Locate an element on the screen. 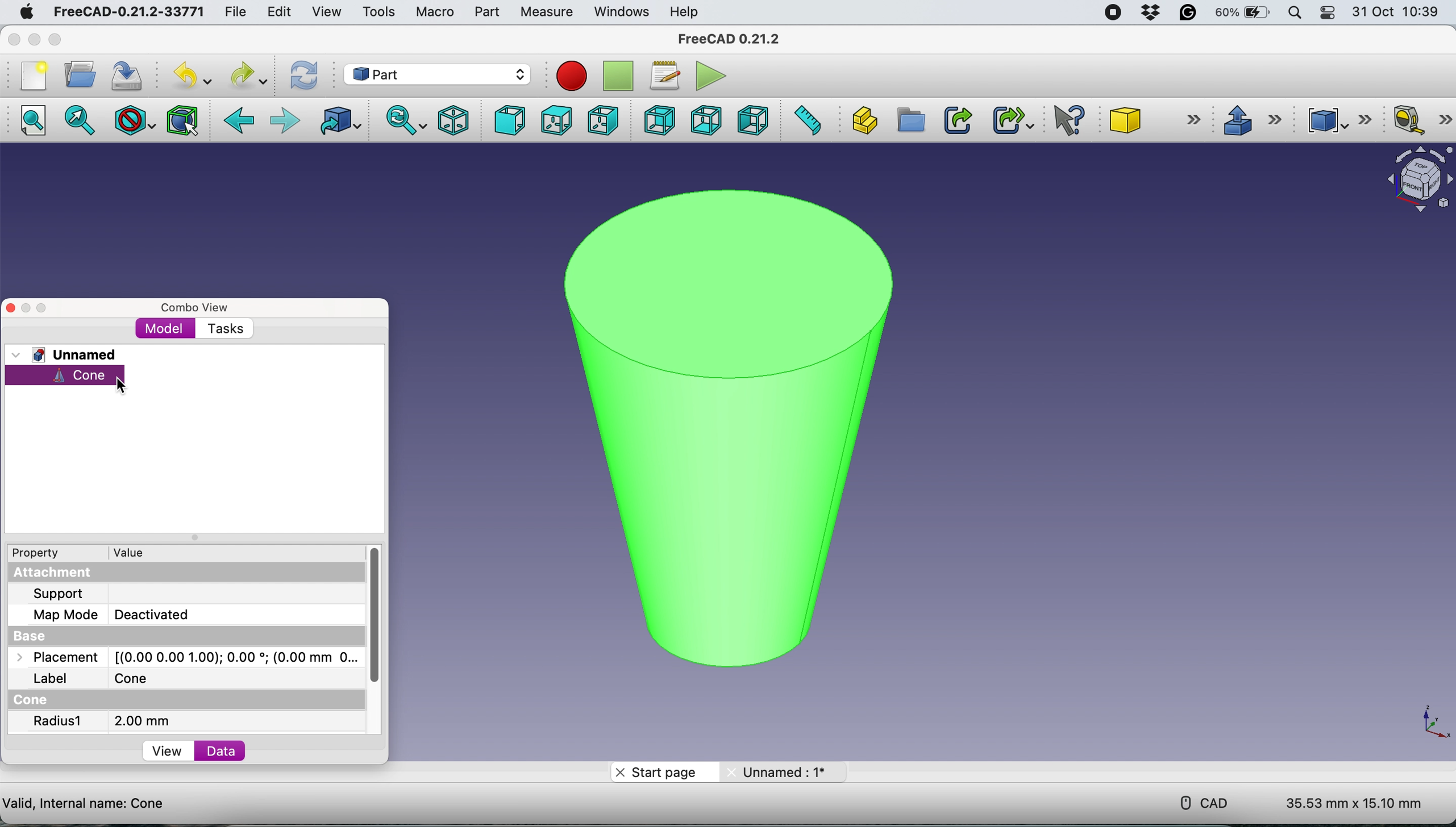 Image resolution: width=1456 pixels, height=827 pixels. start page is located at coordinates (664, 771).